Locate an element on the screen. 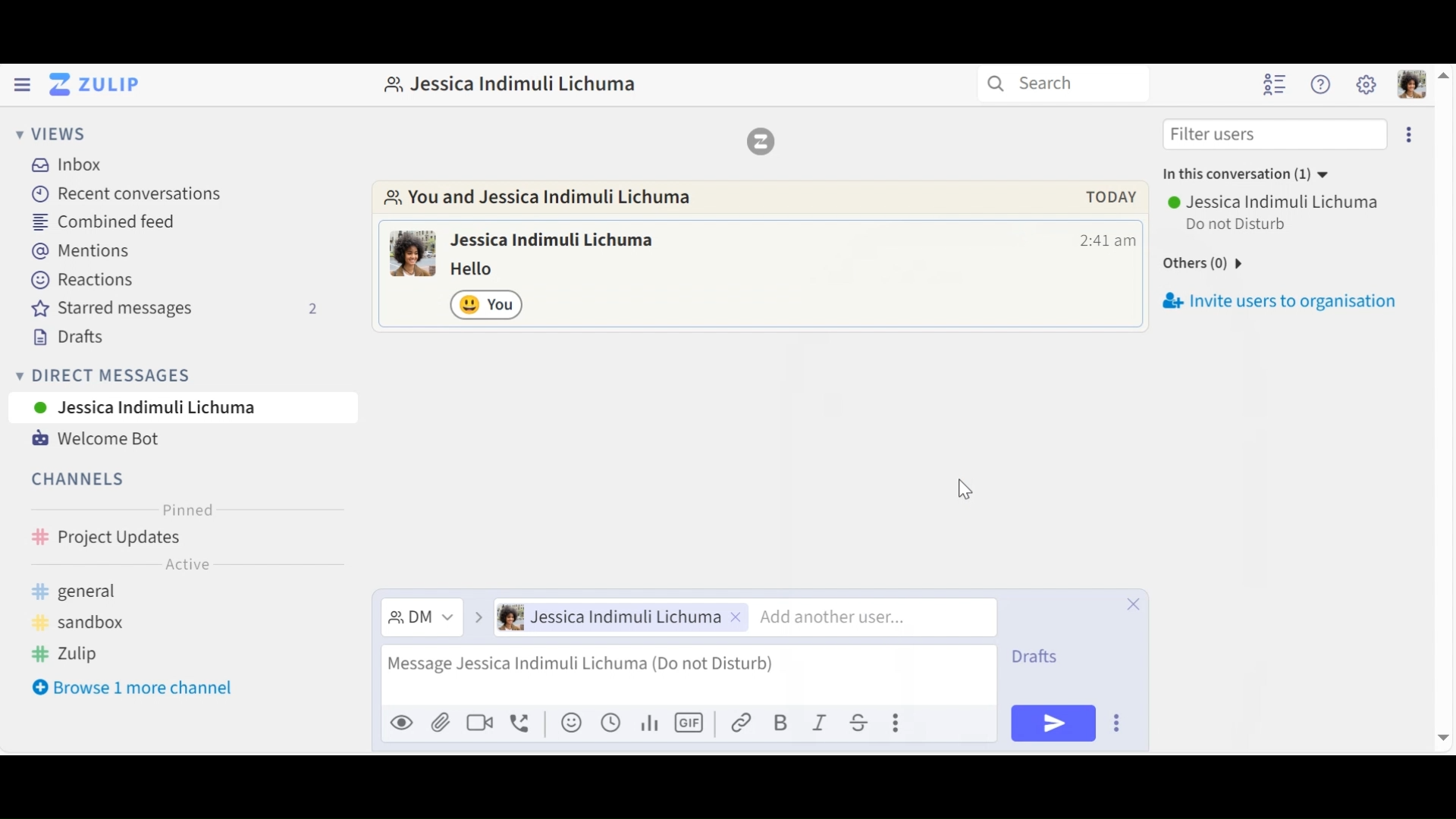 The image size is (1456, 819). Send options is located at coordinates (1119, 723).